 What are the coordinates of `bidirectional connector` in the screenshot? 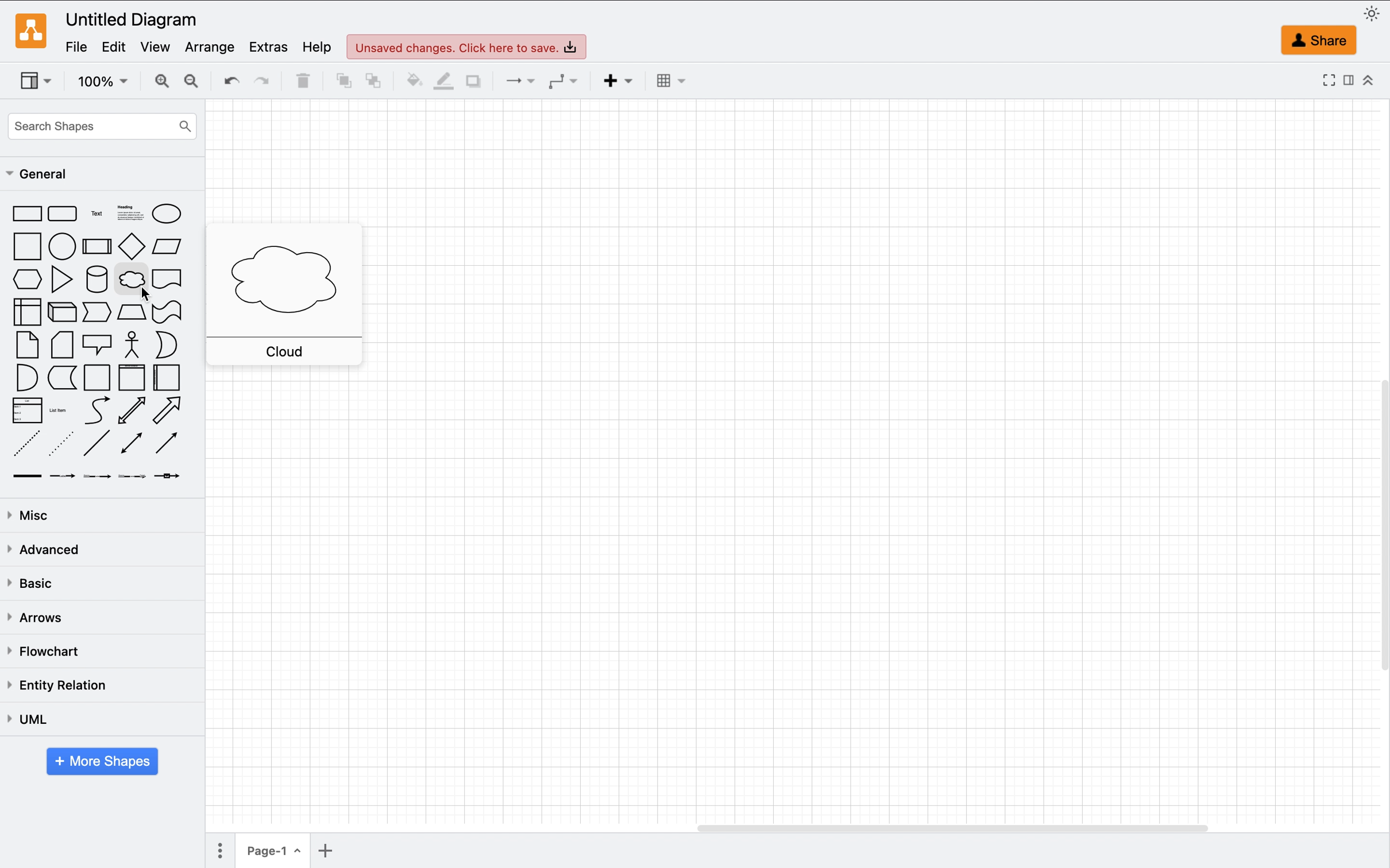 It's located at (133, 444).